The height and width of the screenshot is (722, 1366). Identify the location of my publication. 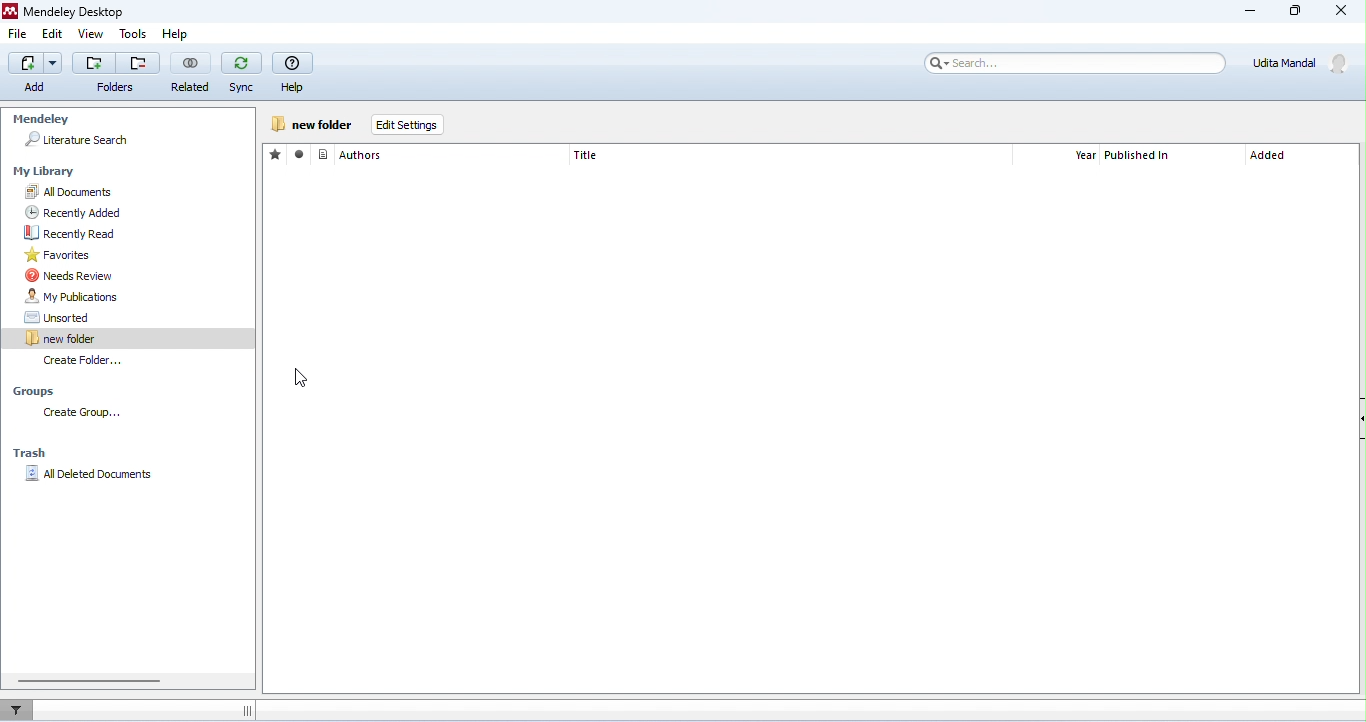
(137, 297).